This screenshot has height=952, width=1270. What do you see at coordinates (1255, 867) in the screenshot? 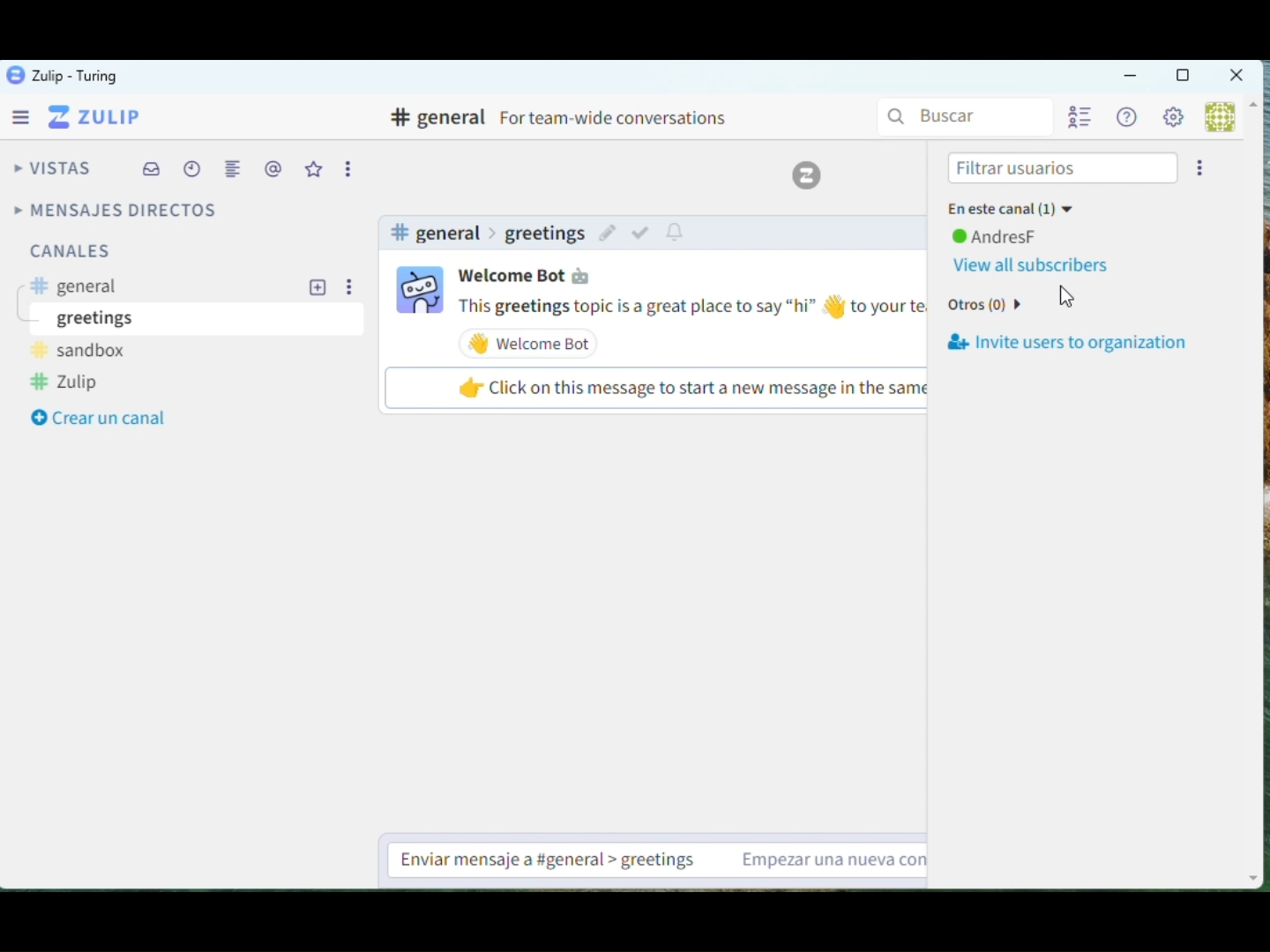
I see `Down` at bounding box center [1255, 867].